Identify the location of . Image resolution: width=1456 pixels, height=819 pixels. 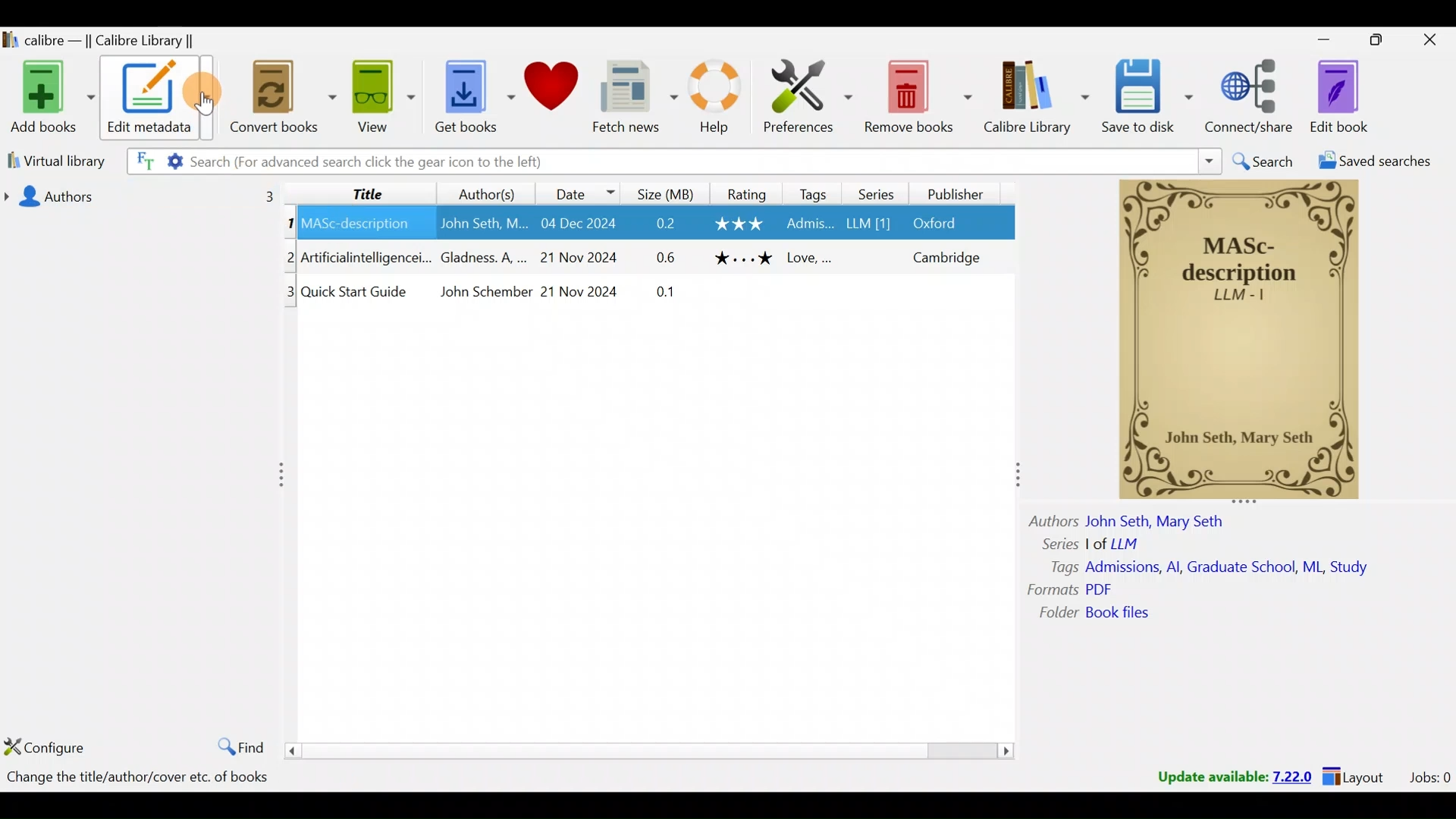
(1230, 566).